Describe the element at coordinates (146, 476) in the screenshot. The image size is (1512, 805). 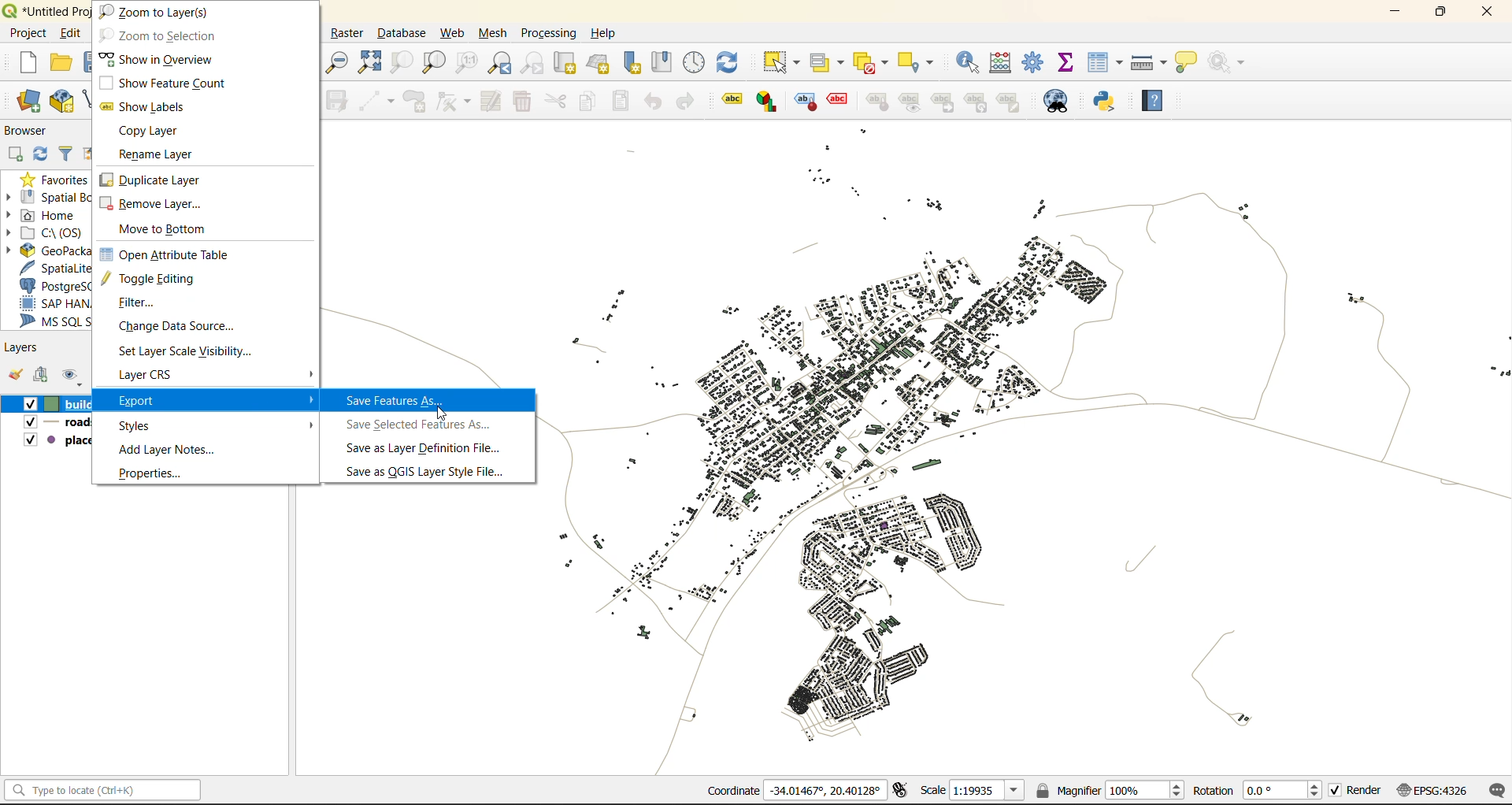
I see `properties` at that location.